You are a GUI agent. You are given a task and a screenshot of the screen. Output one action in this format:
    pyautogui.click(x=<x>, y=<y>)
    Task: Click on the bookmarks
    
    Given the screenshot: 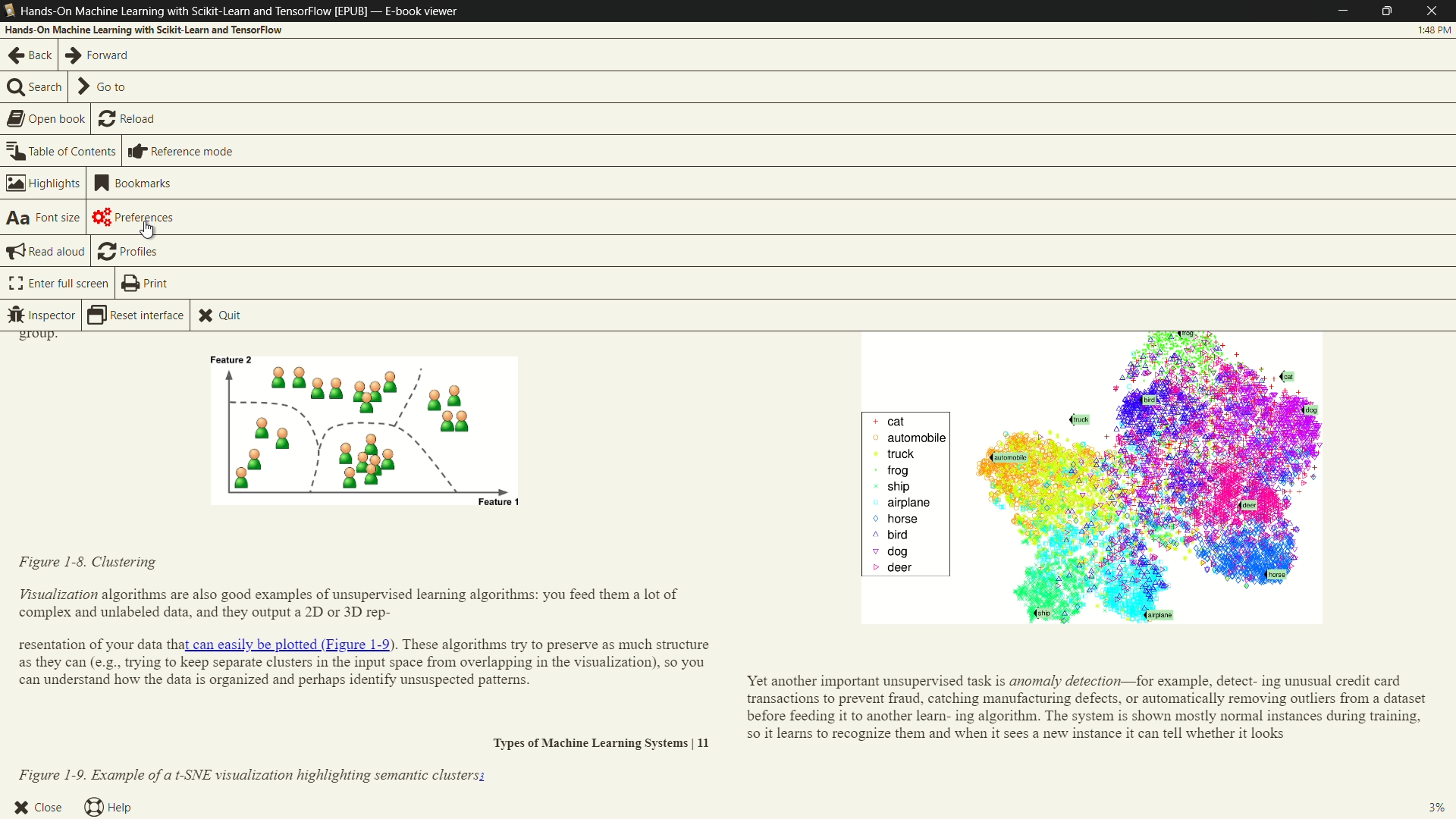 What is the action you would take?
    pyautogui.click(x=134, y=183)
    